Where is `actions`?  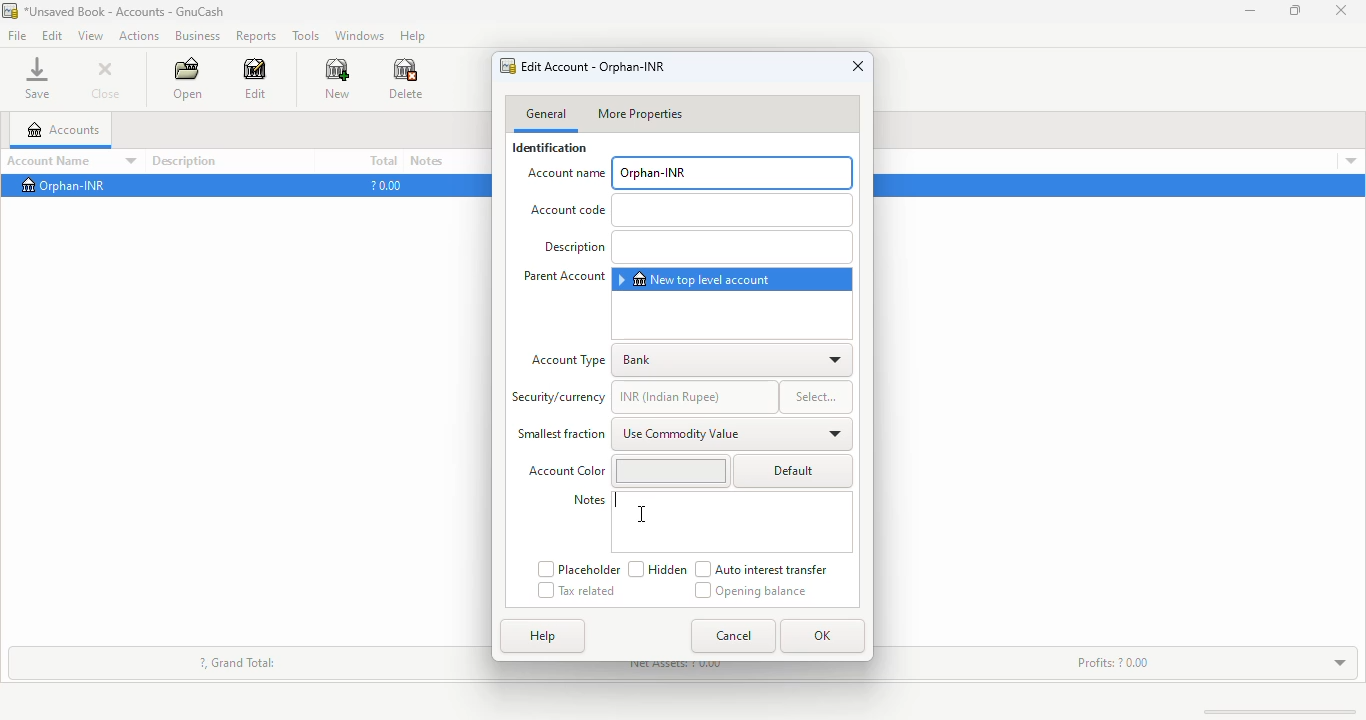
actions is located at coordinates (140, 36).